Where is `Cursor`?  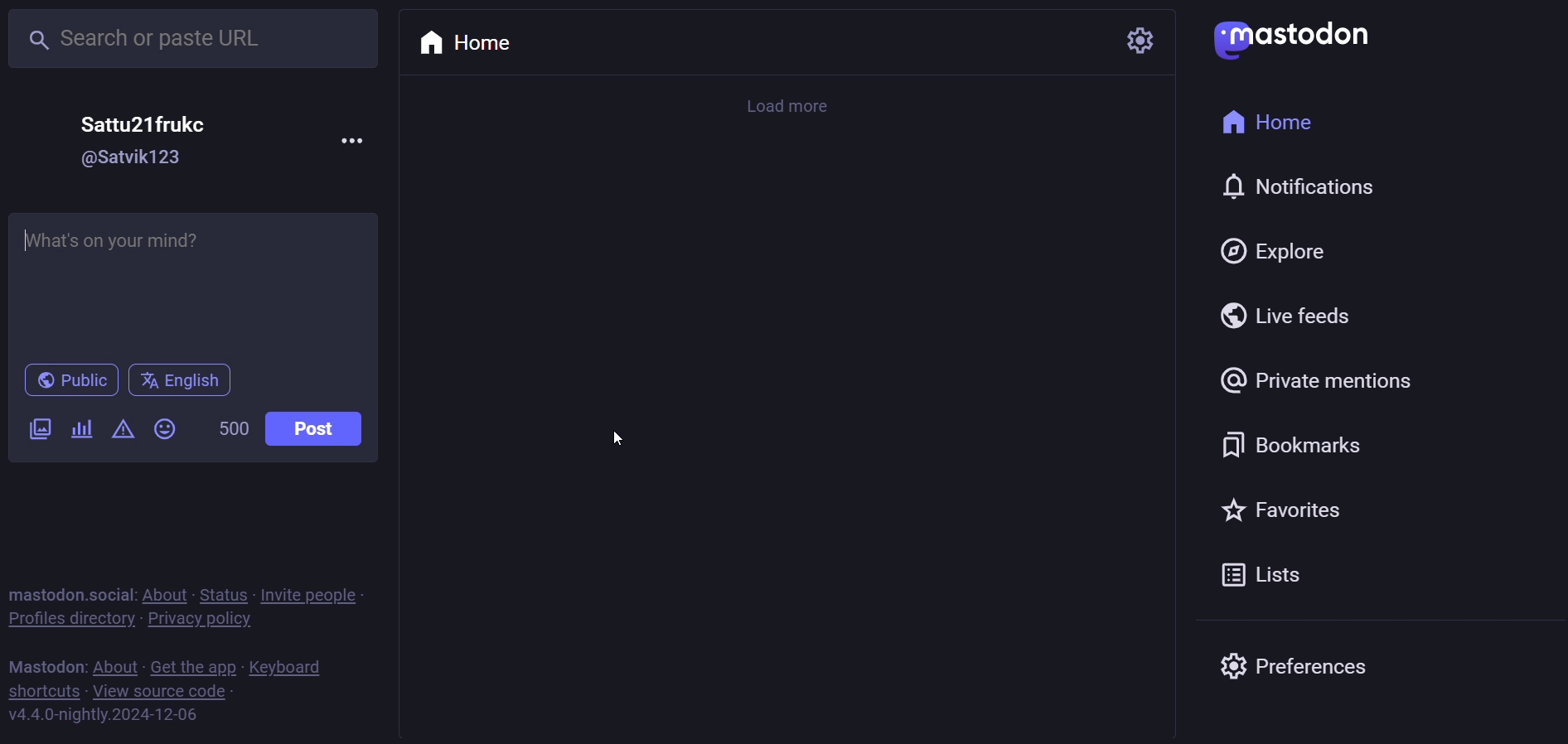 Cursor is located at coordinates (620, 440).